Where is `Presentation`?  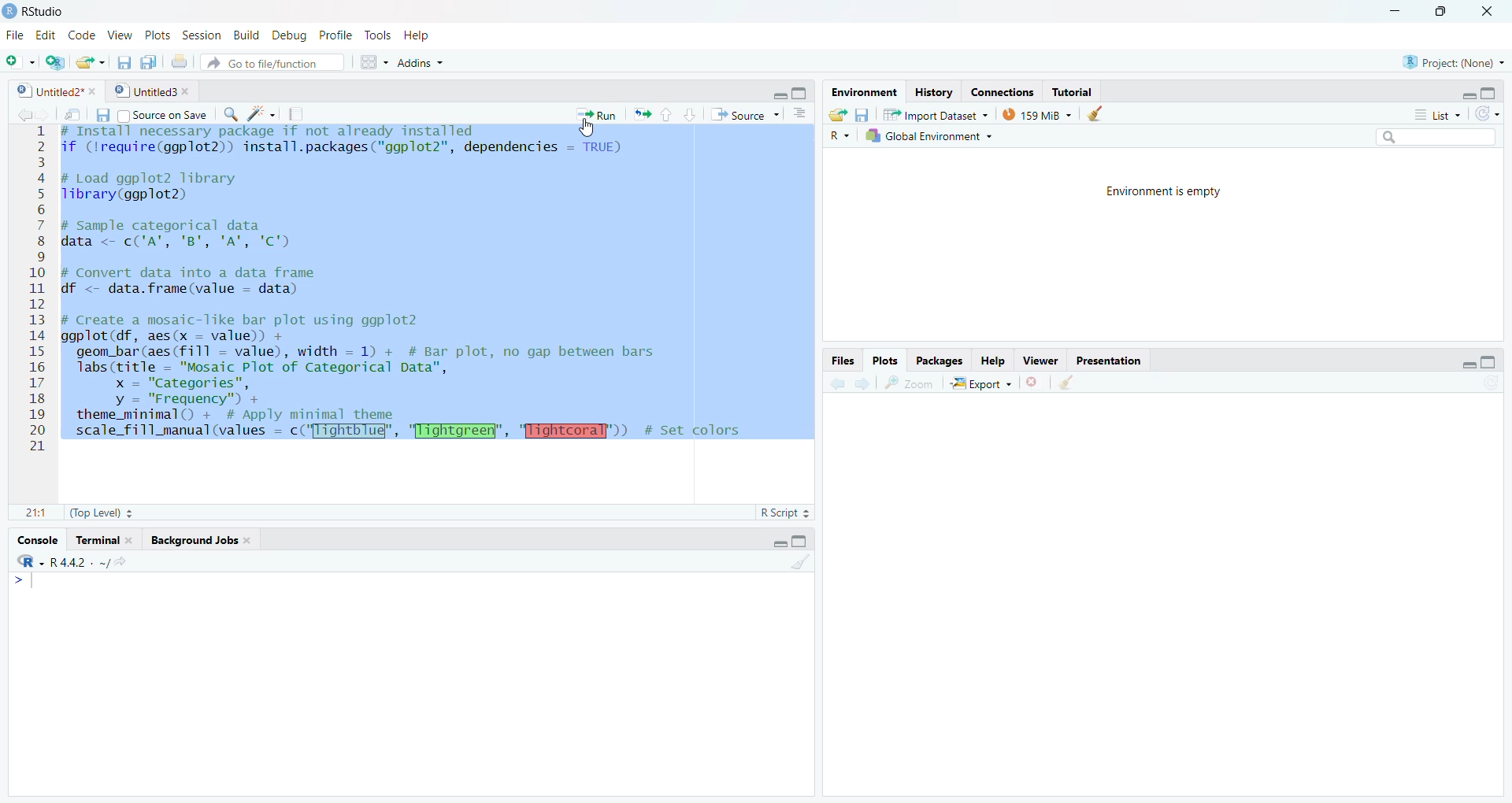 Presentation is located at coordinates (1107, 361).